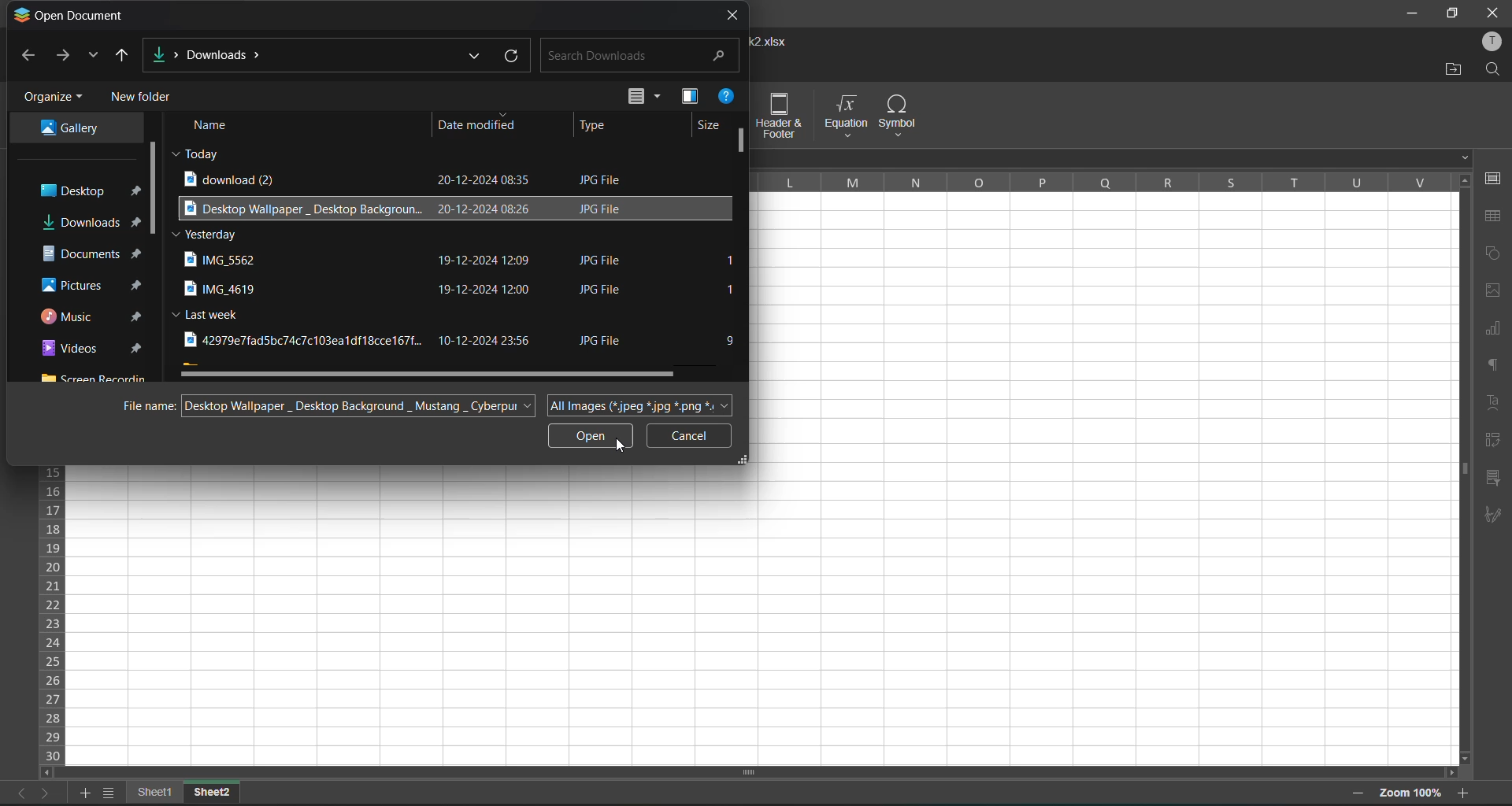  Describe the element at coordinates (1115, 157) in the screenshot. I see `formula bar` at that location.